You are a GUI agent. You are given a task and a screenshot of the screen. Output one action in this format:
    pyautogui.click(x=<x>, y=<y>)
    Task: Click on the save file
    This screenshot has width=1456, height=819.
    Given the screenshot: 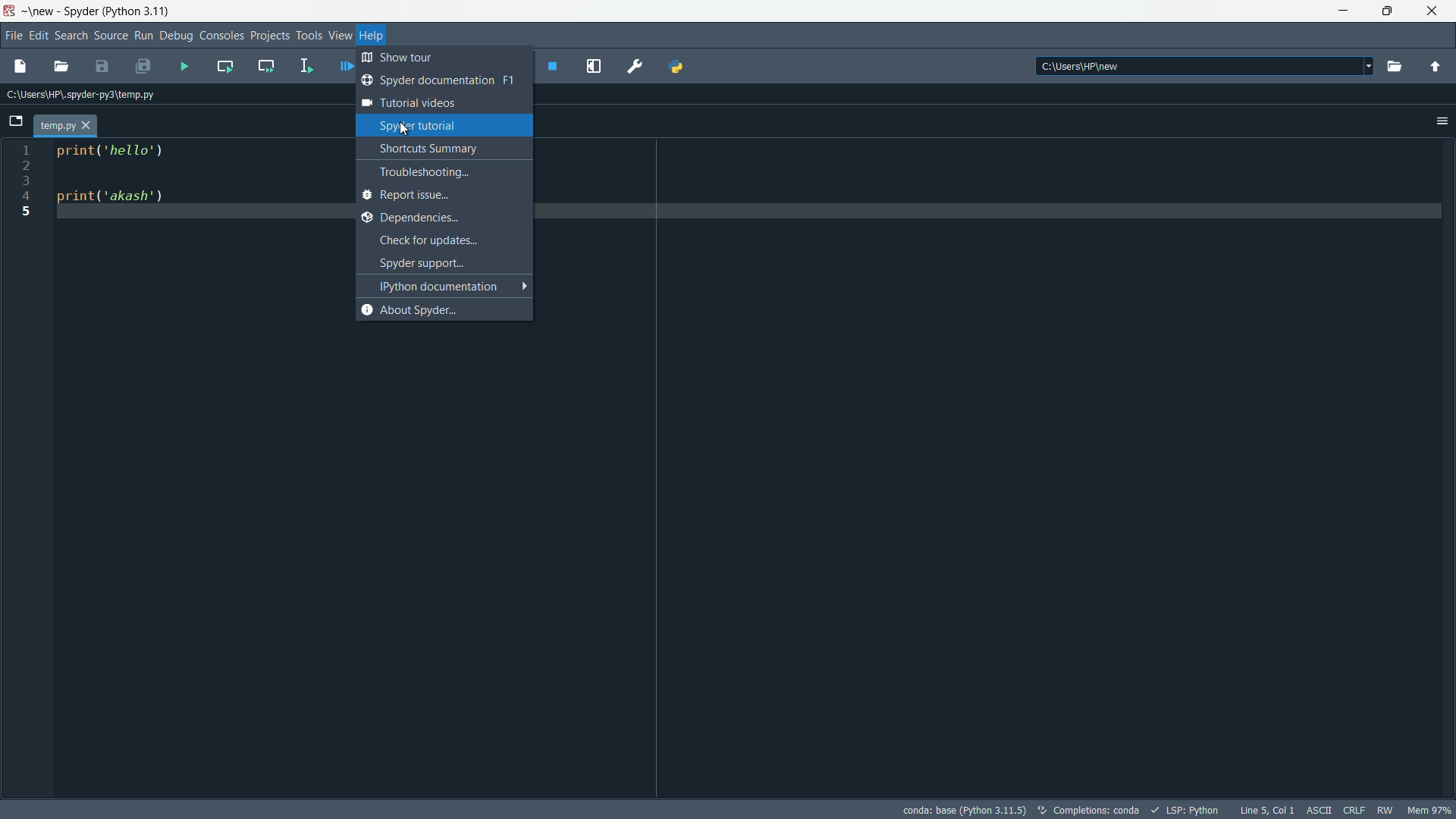 What is the action you would take?
    pyautogui.click(x=100, y=67)
    